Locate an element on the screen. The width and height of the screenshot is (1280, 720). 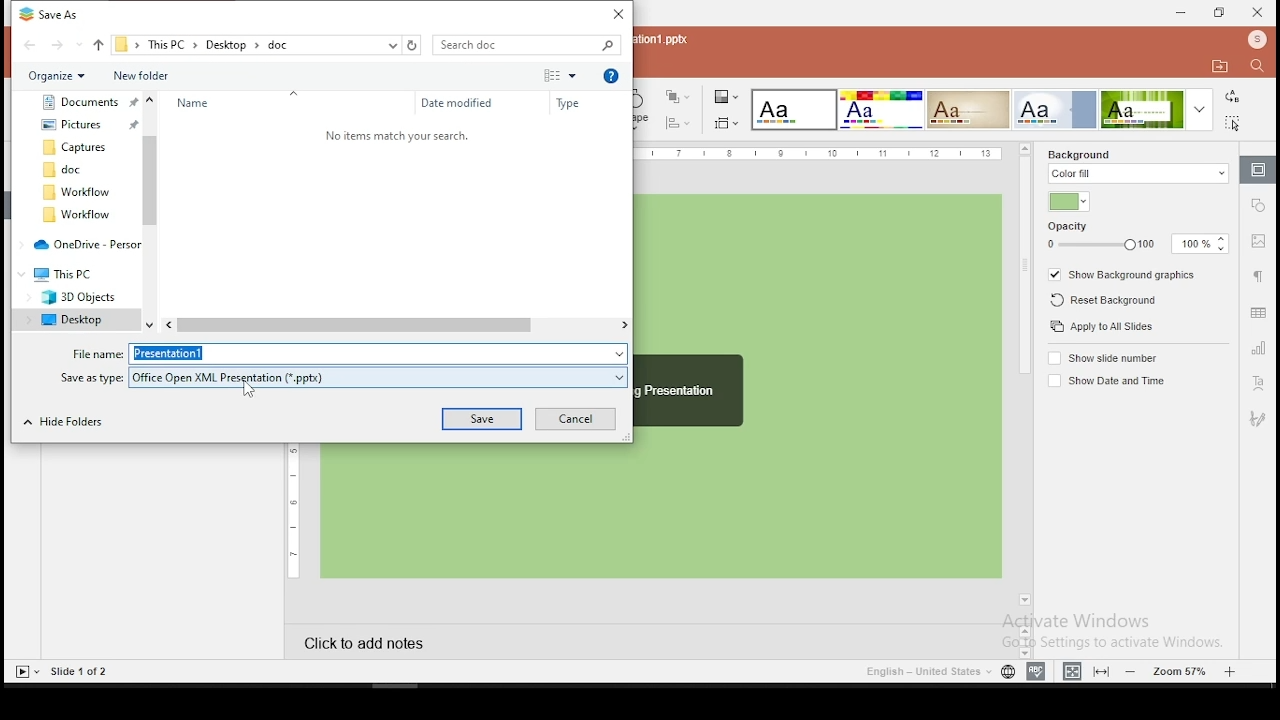
Desktop is located at coordinates (75, 320).